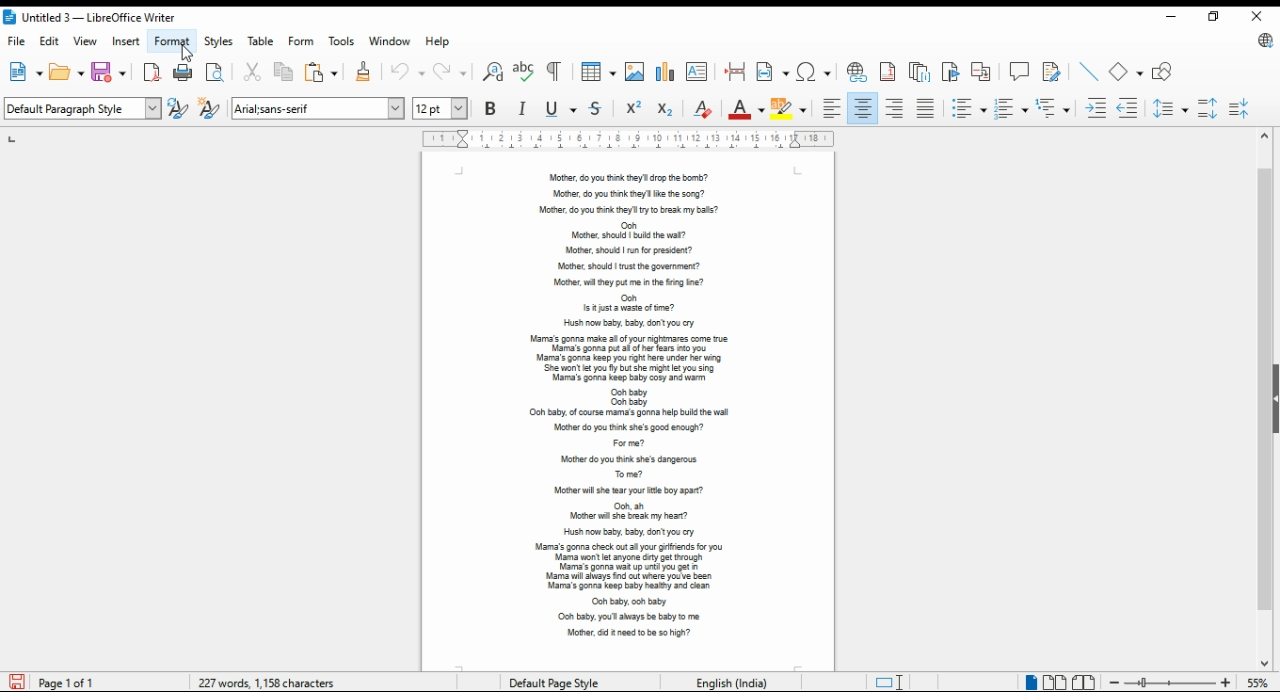  What do you see at coordinates (1020, 71) in the screenshot?
I see `insert comment` at bounding box center [1020, 71].